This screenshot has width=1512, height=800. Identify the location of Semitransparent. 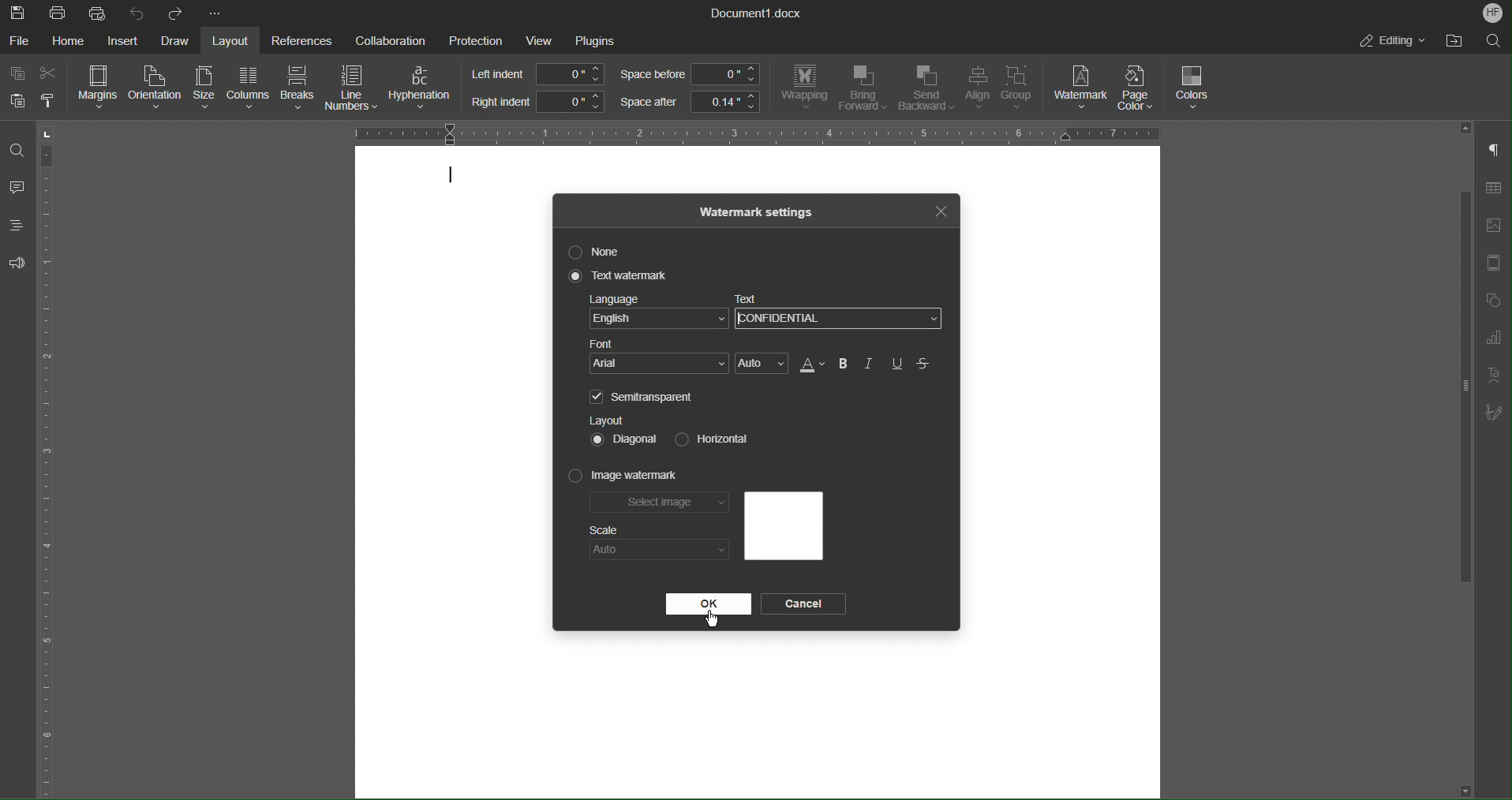
(645, 396).